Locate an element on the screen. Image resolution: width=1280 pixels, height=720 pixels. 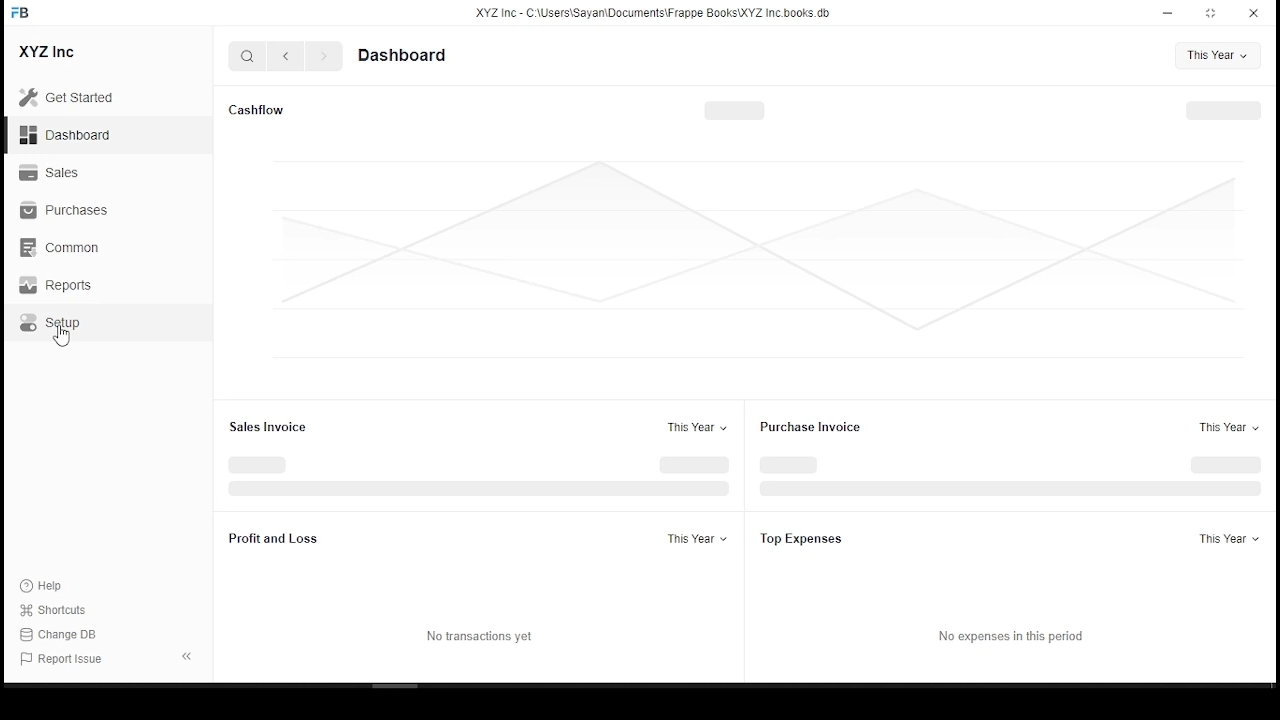
Get Started is located at coordinates (73, 97).